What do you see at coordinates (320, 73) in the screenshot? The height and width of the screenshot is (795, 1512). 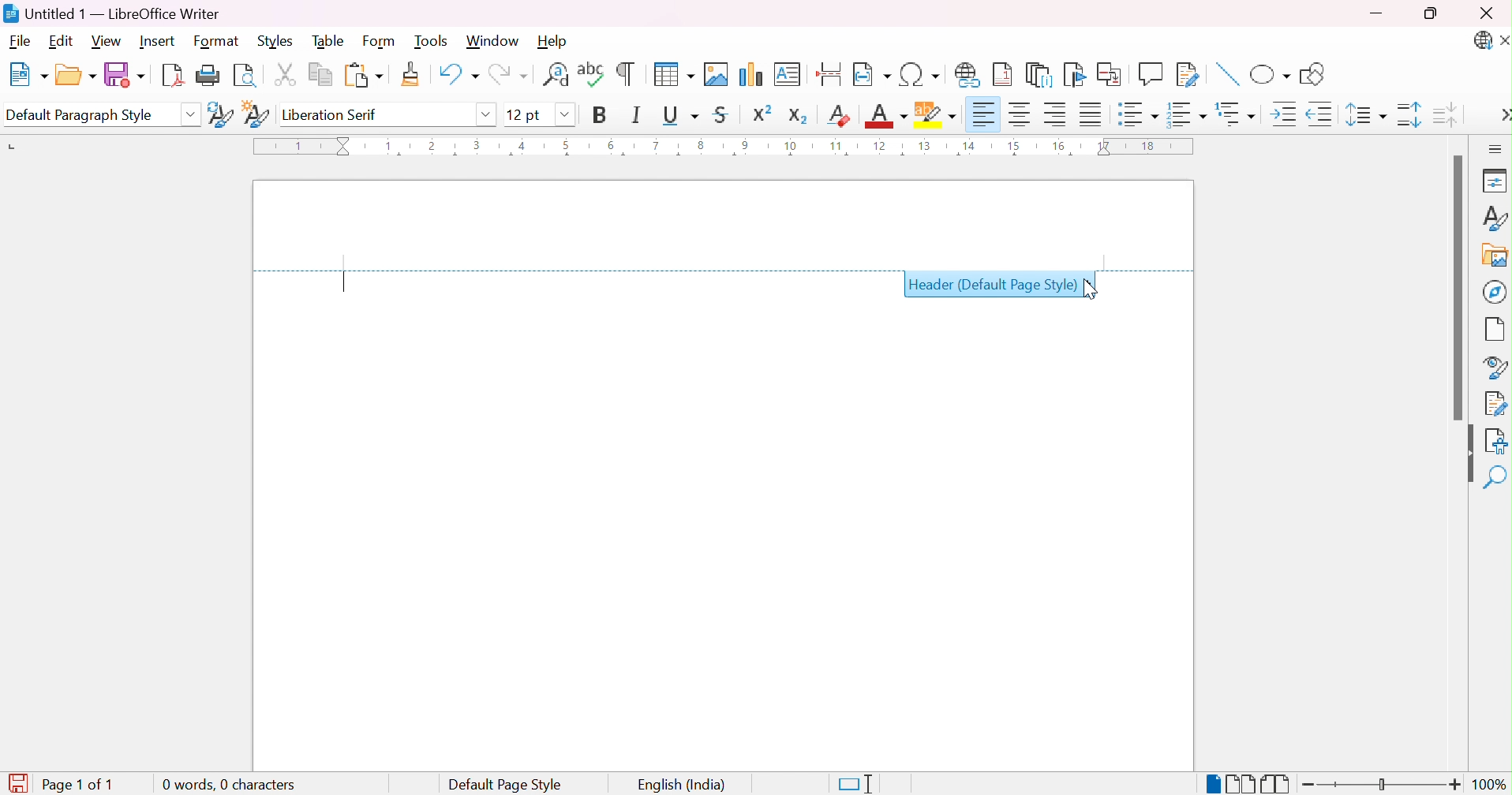 I see `Copy` at bounding box center [320, 73].